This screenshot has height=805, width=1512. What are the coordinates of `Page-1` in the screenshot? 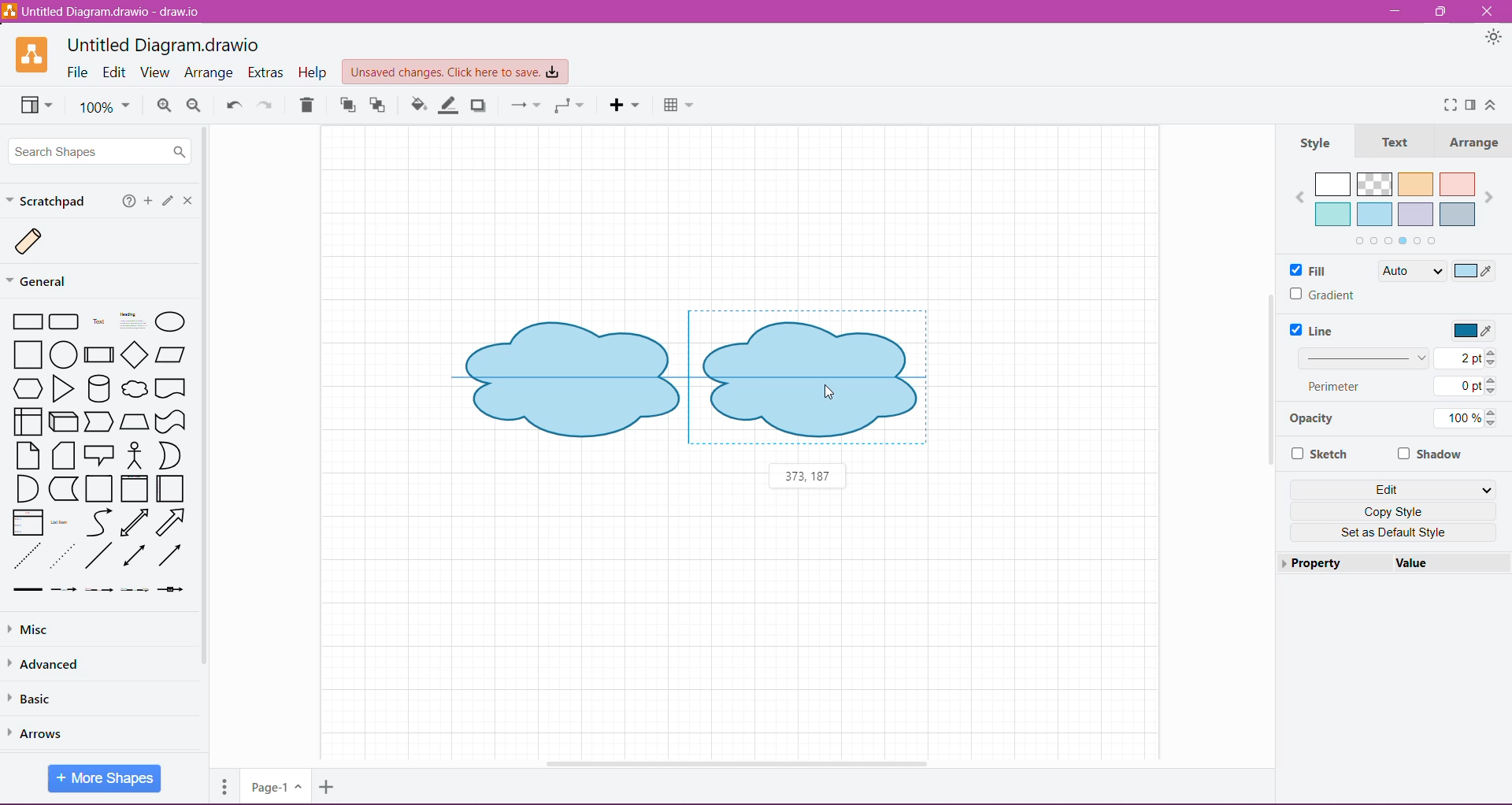 It's located at (274, 787).